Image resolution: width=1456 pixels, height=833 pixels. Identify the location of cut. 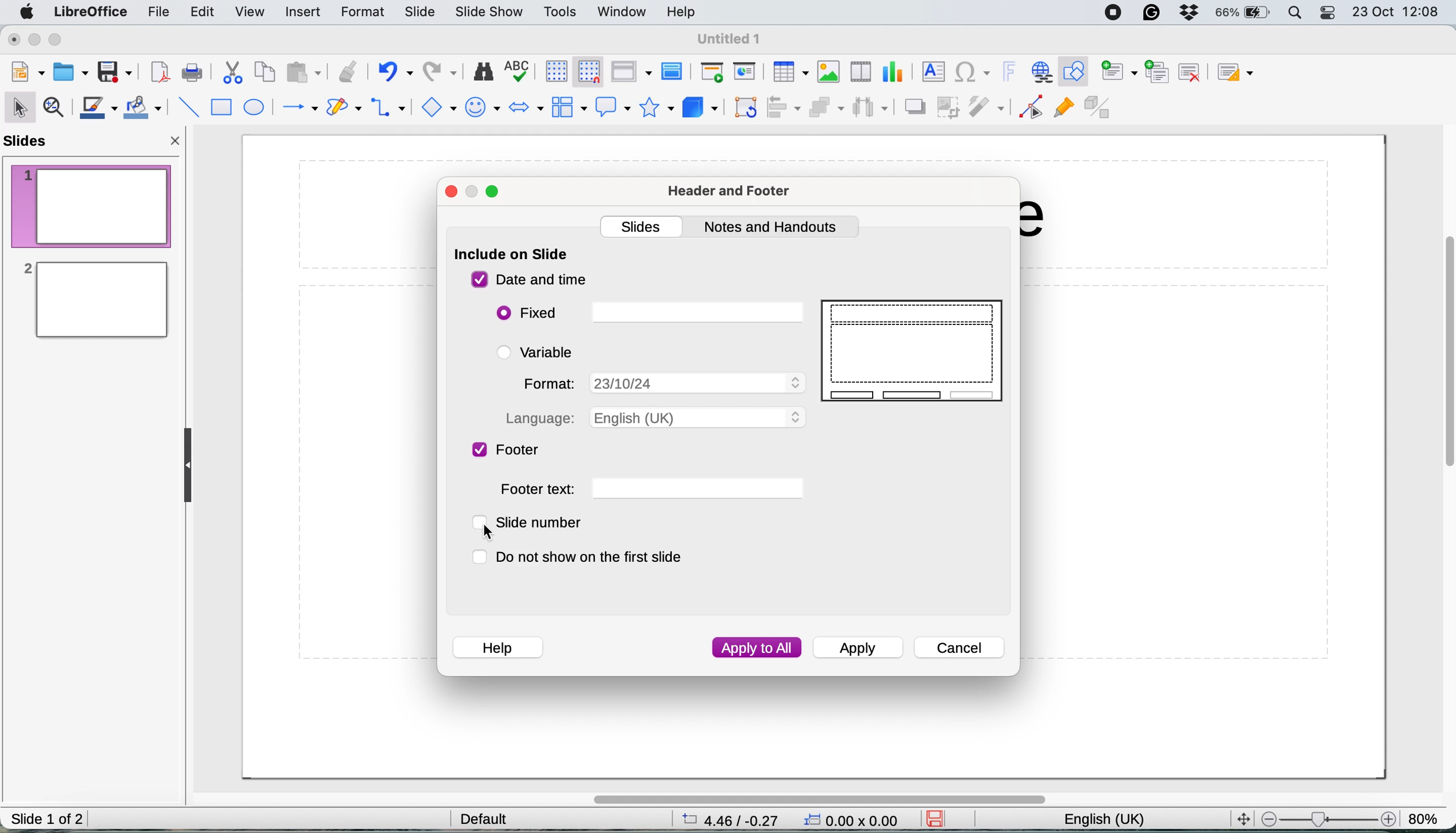
(234, 75).